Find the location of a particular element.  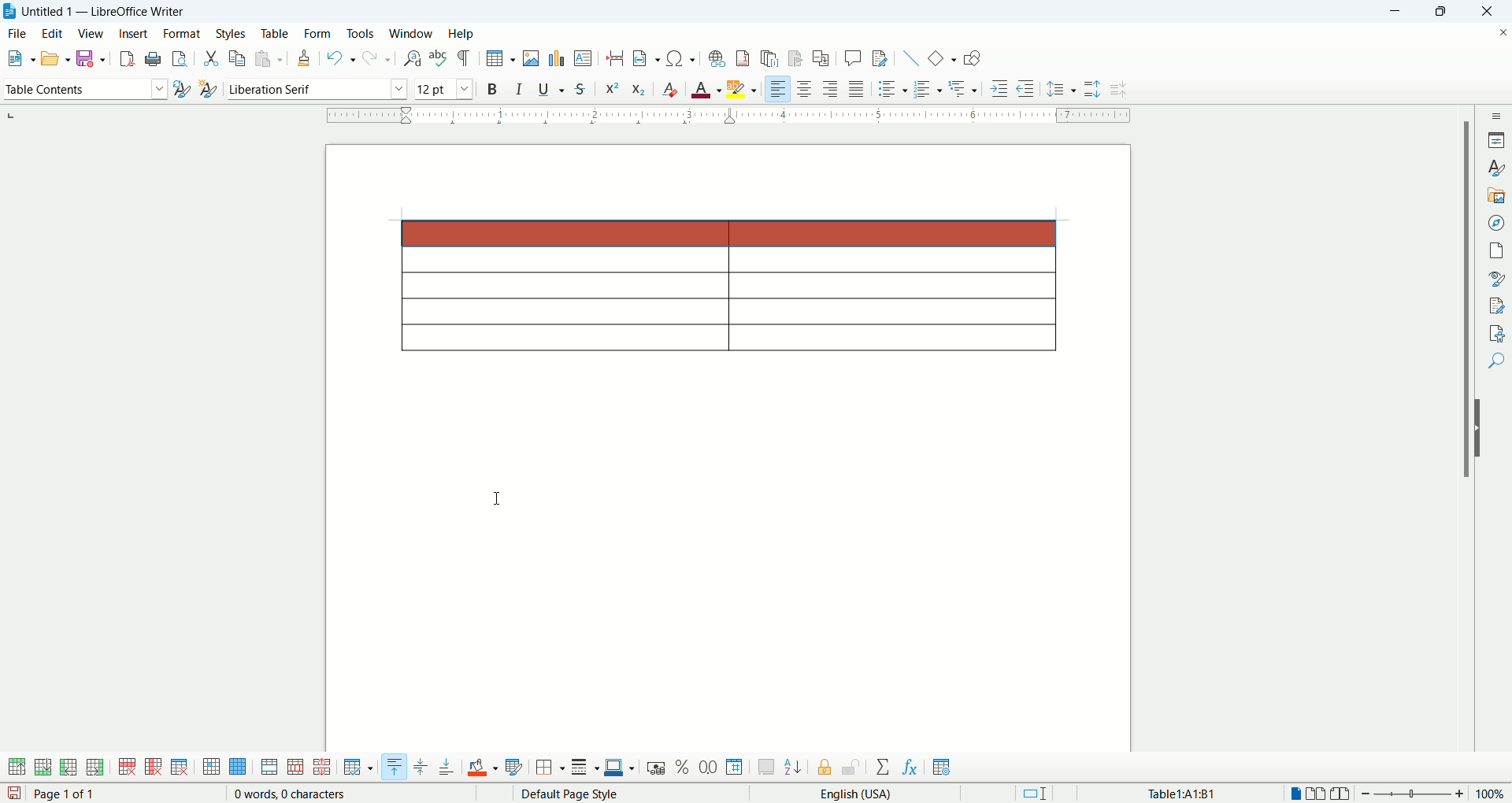

zoom percent is located at coordinates (1492, 793).